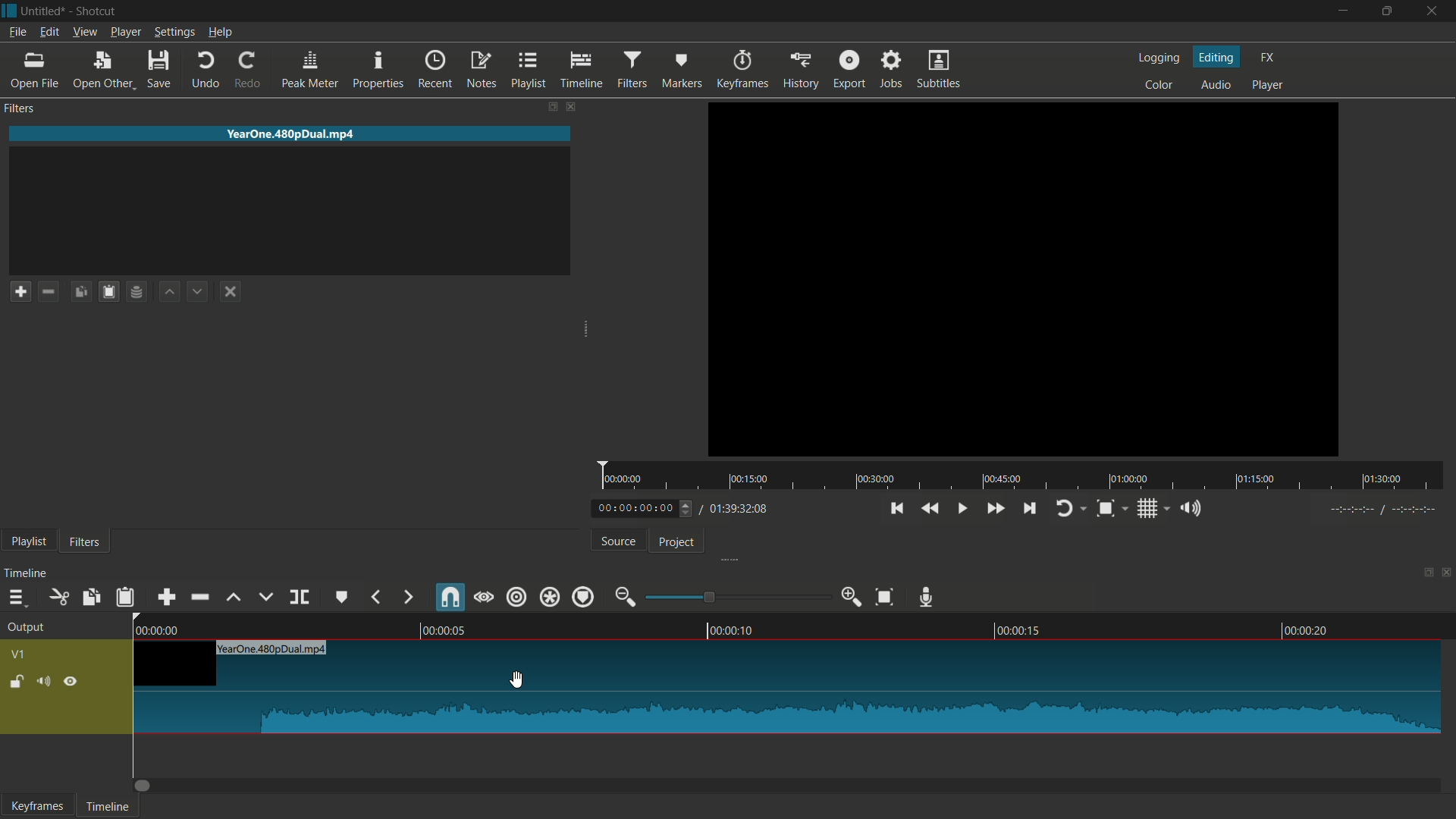 This screenshot has height=819, width=1456. I want to click on marker, so click(682, 69).